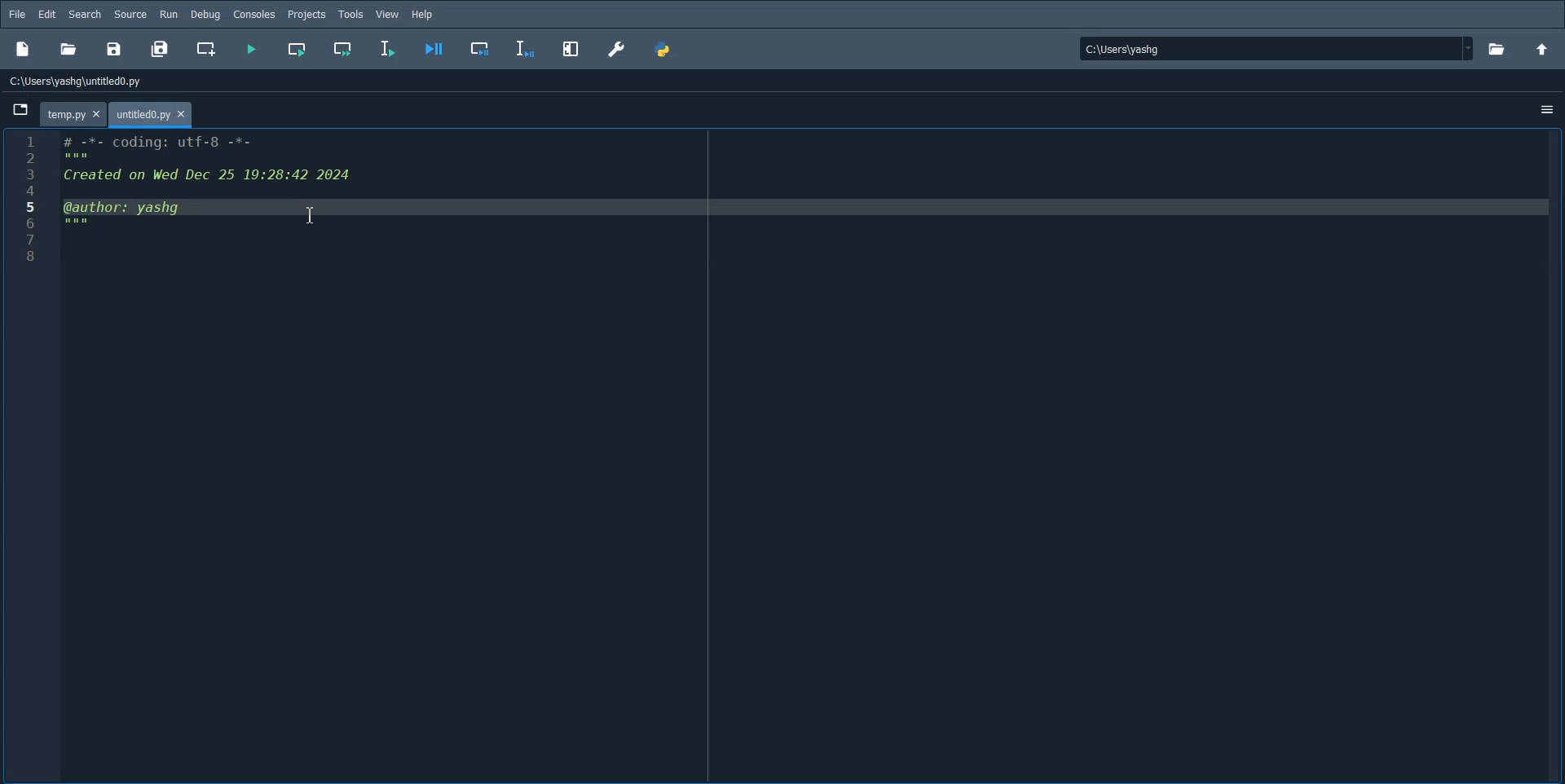 The height and width of the screenshot is (784, 1565). Describe the element at coordinates (20, 109) in the screenshot. I see `Browse Tab` at that location.